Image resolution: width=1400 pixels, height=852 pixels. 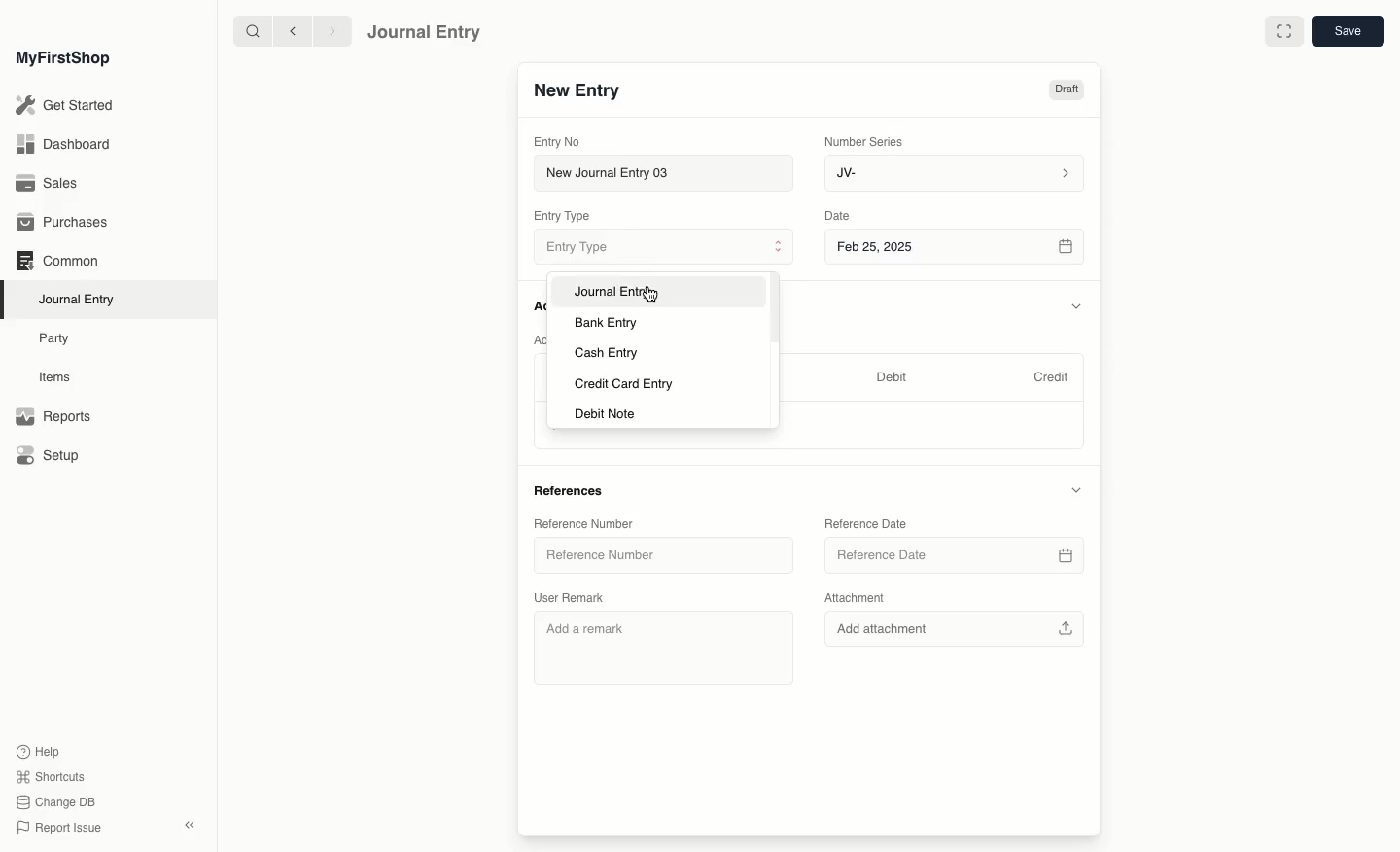 I want to click on Credit, so click(x=1050, y=375).